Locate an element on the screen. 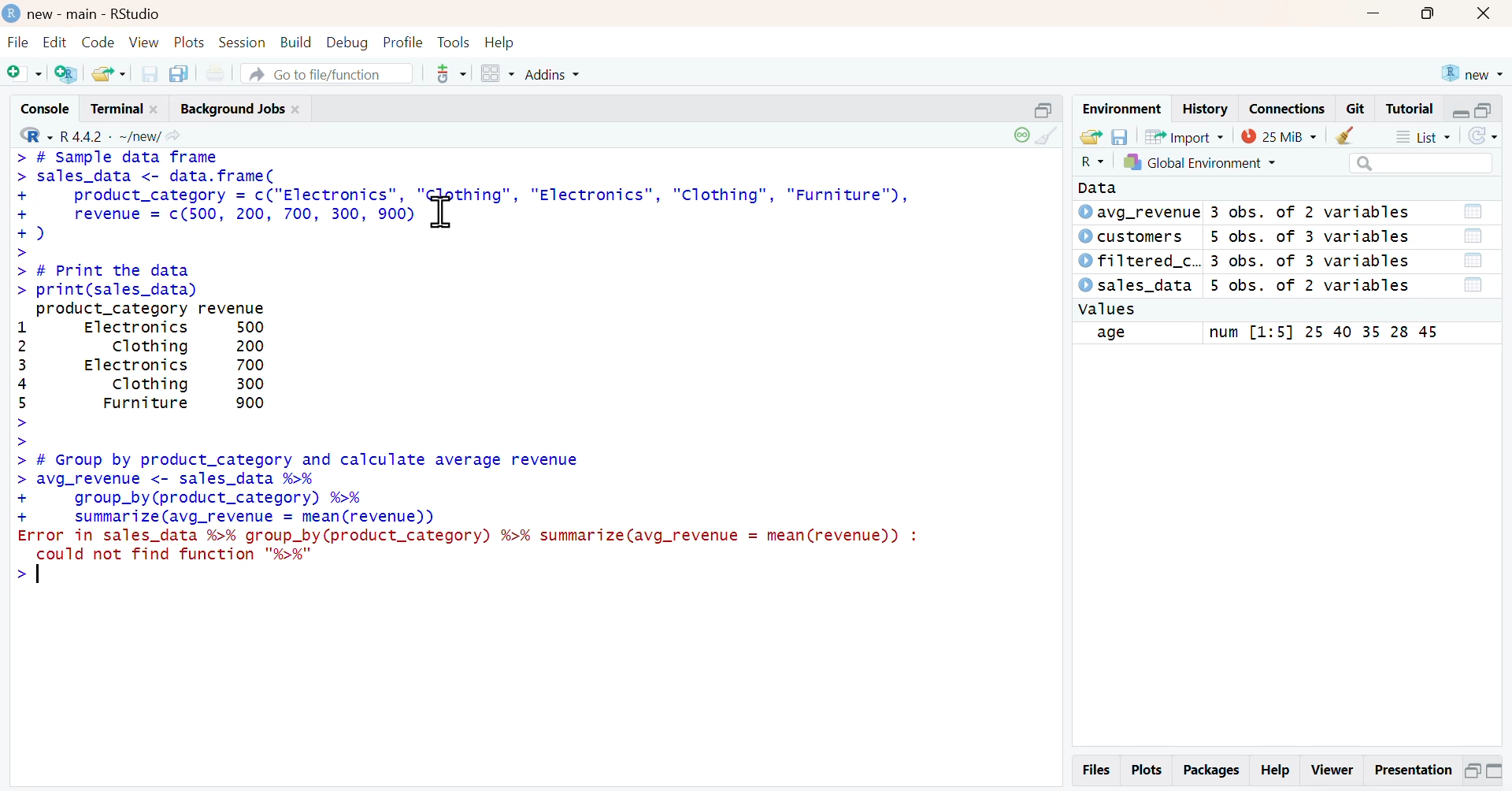 This screenshot has width=1512, height=791. Import Dataset is located at coordinates (1186, 137).